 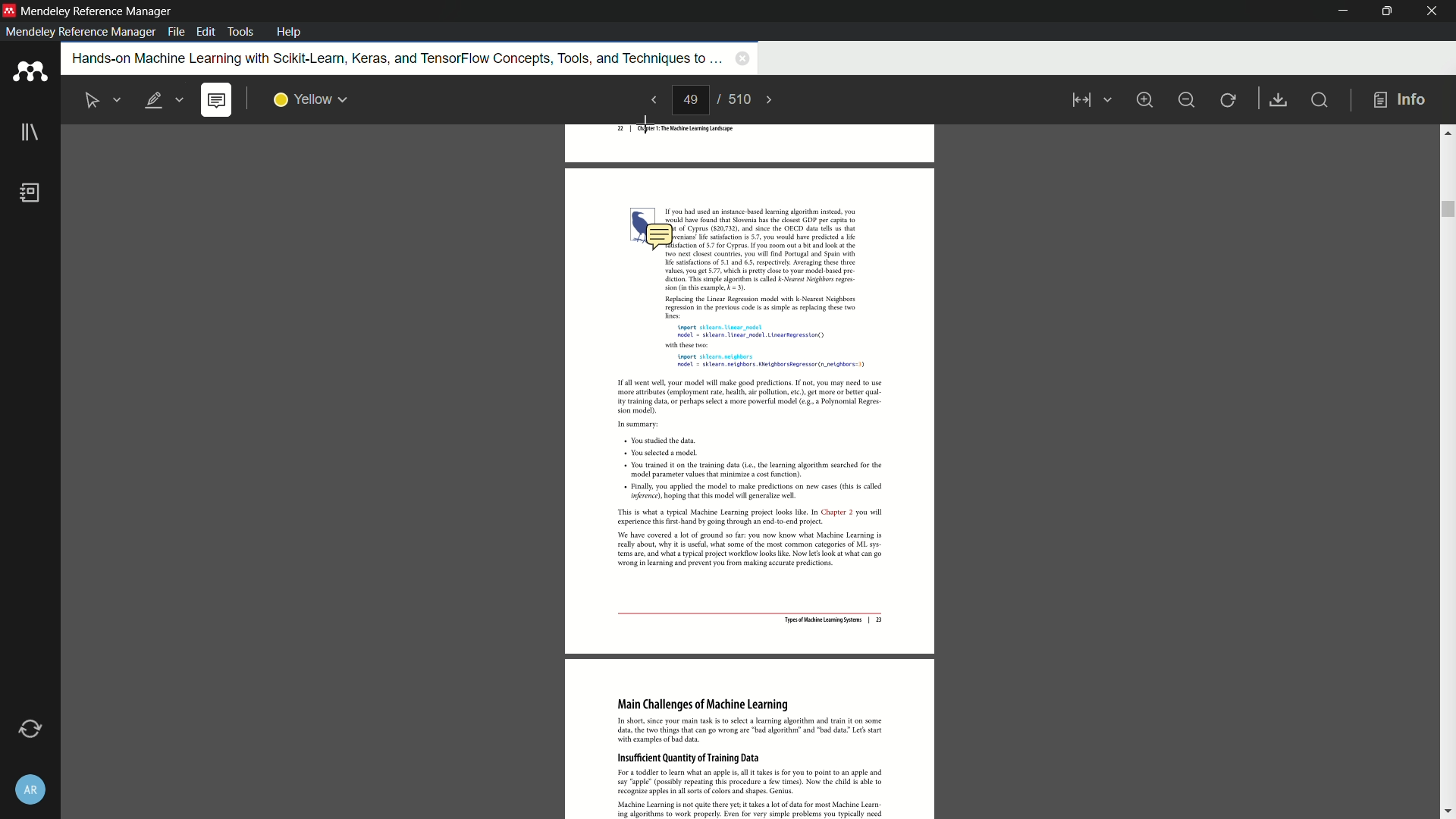 What do you see at coordinates (1384, 11) in the screenshot?
I see `maximize` at bounding box center [1384, 11].